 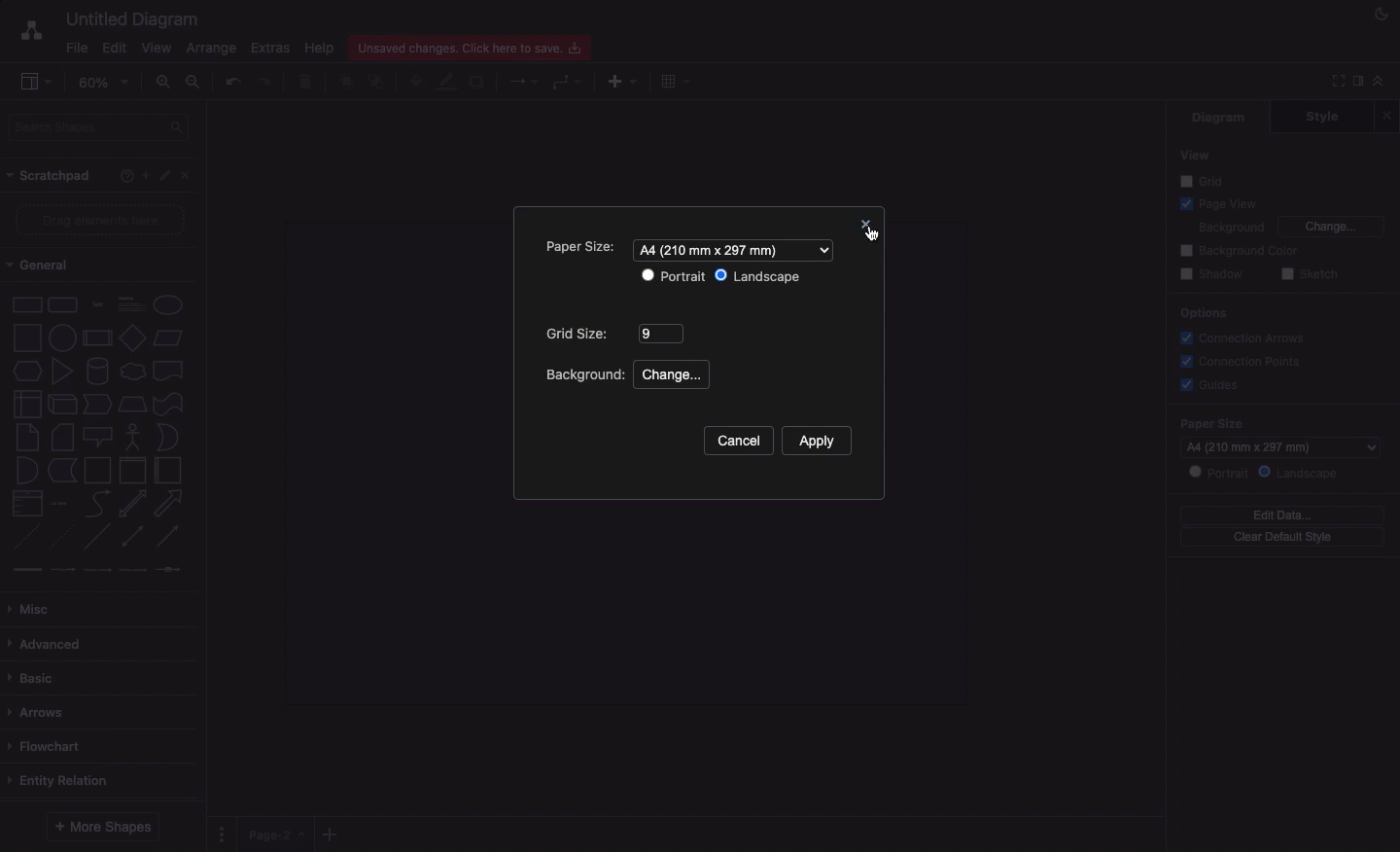 I want to click on File, so click(x=70, y=48).